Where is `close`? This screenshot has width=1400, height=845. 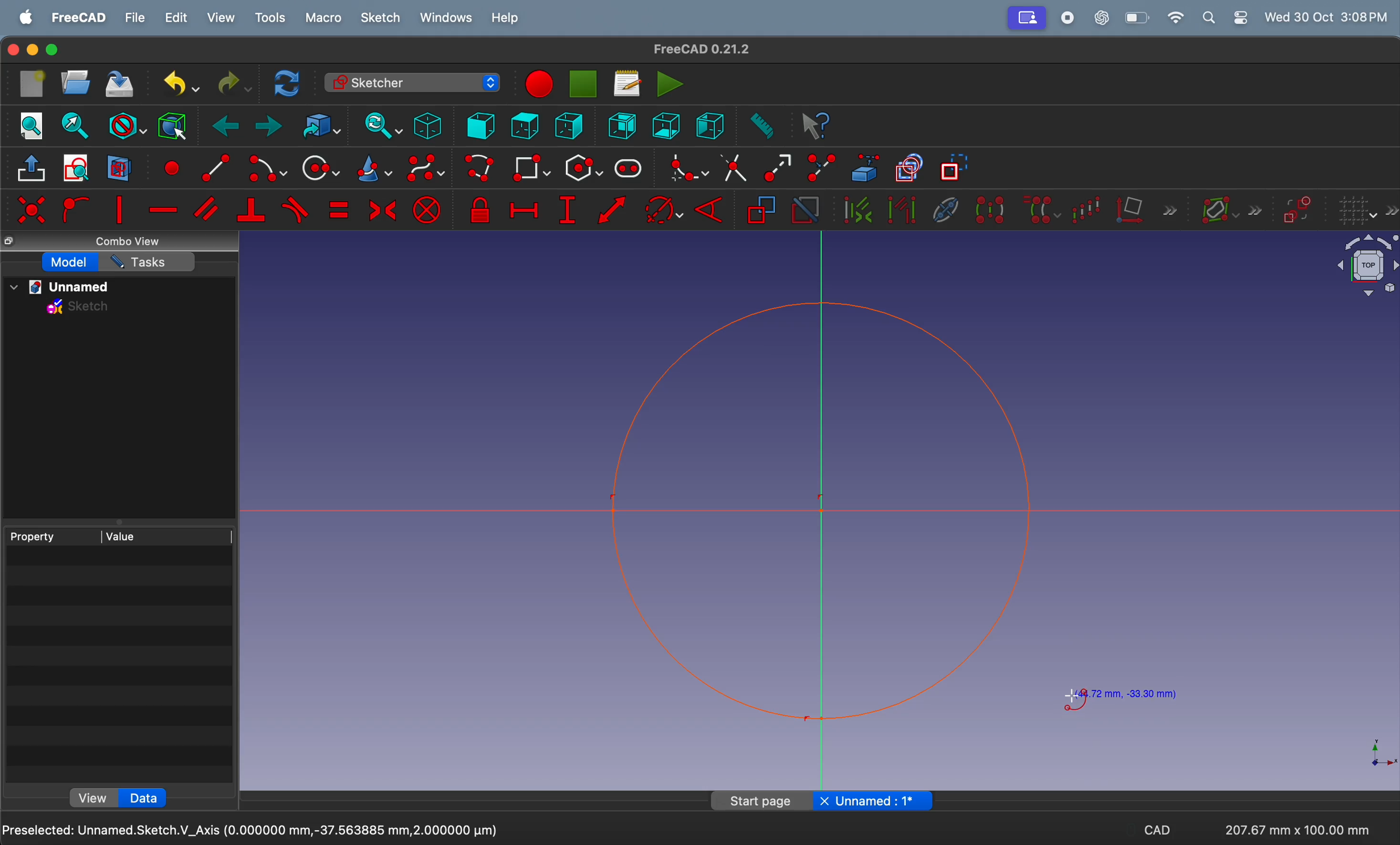 close is located at coordinates (11, 51).